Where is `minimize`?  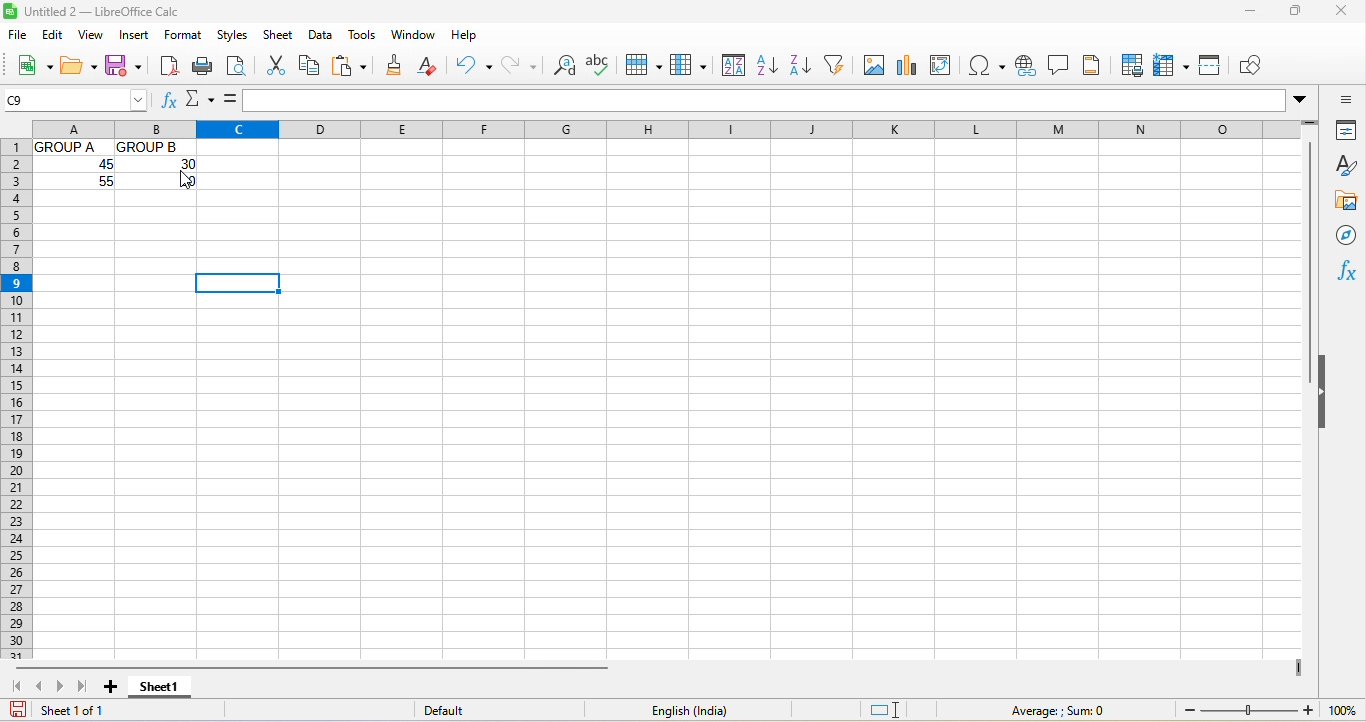
minimize is located at coordinates (1248, 11).